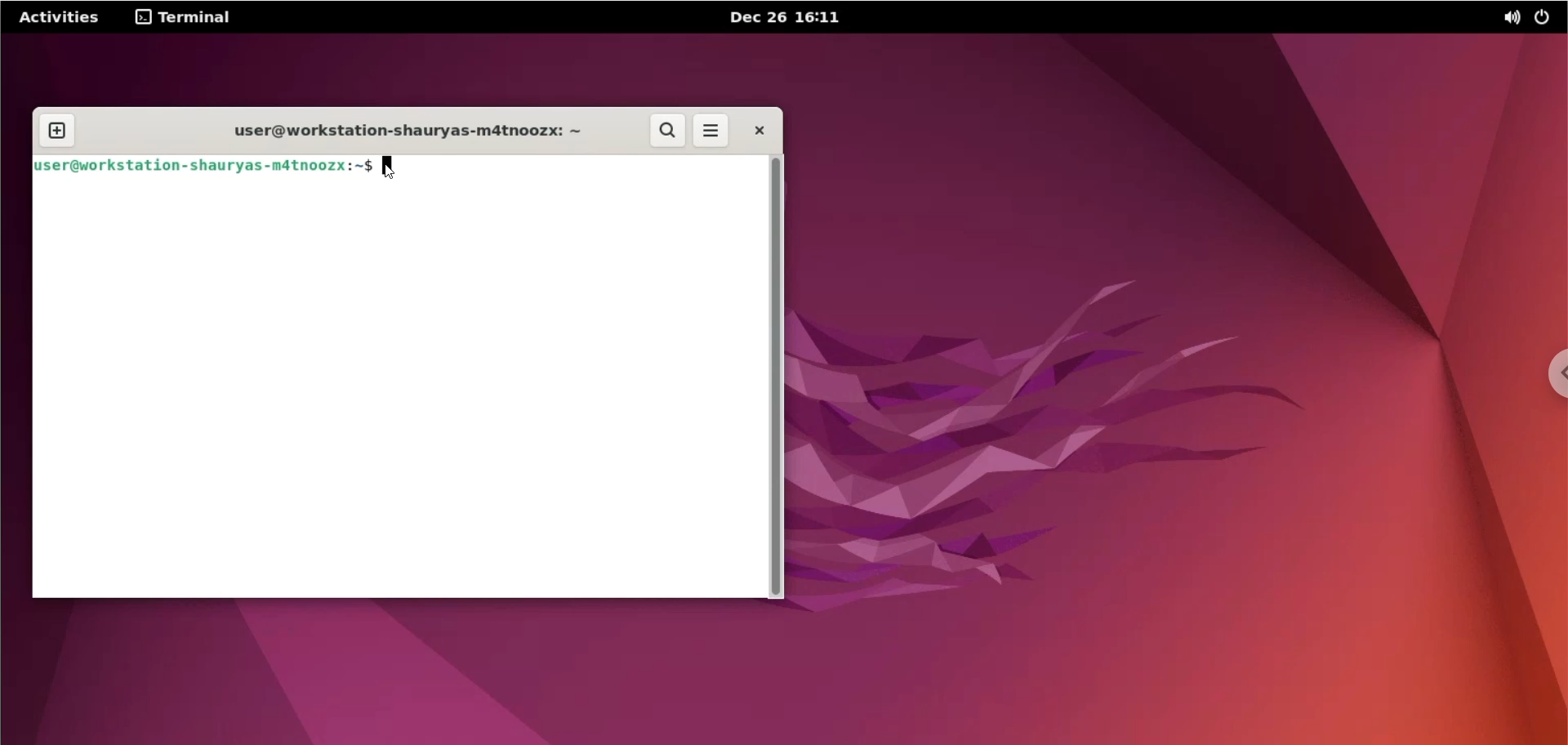 This screenshot has width=1568, height=745. I want to click on search, so click(666, 131).